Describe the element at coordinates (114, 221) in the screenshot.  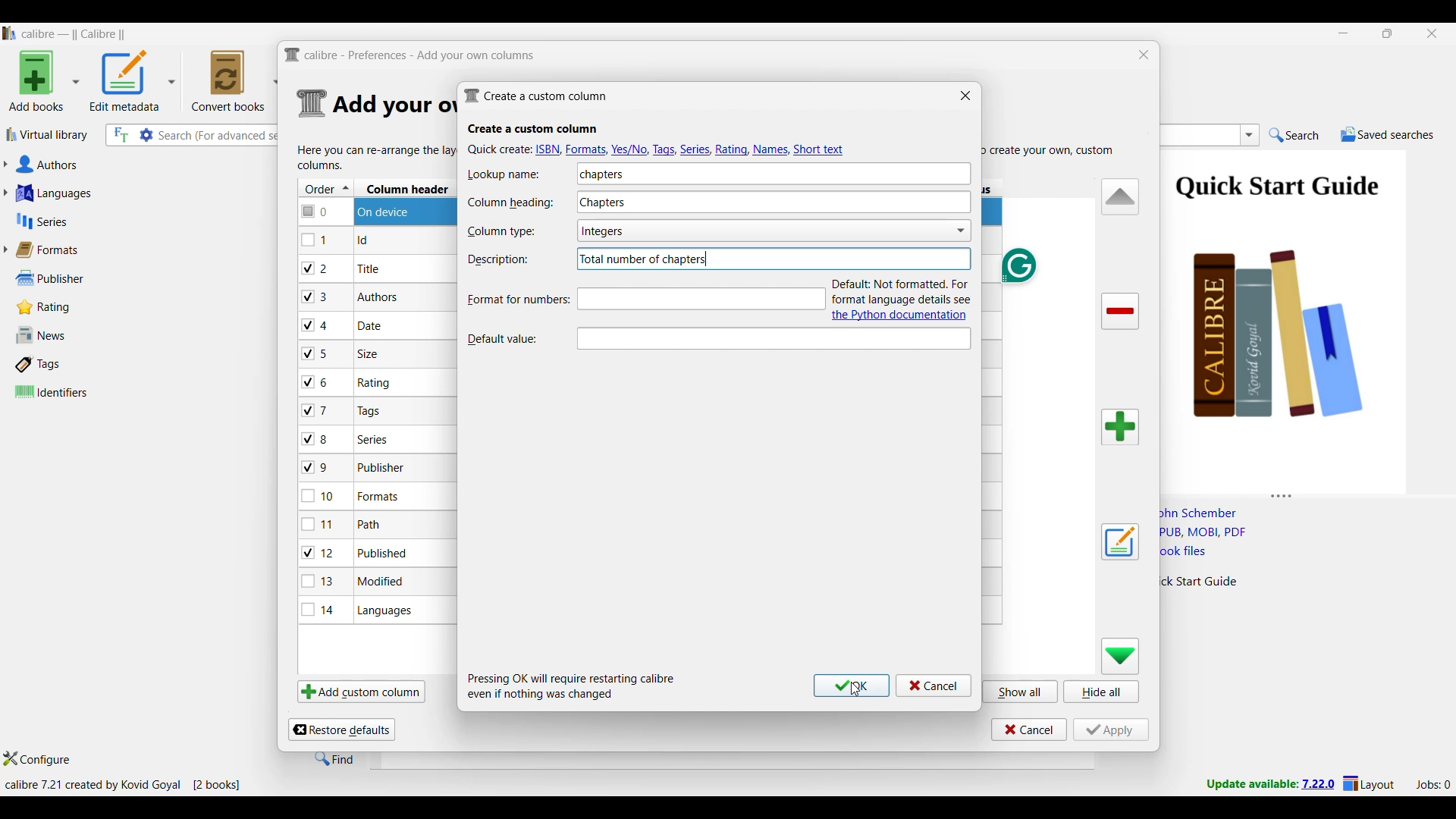
I see `Series` at that location.